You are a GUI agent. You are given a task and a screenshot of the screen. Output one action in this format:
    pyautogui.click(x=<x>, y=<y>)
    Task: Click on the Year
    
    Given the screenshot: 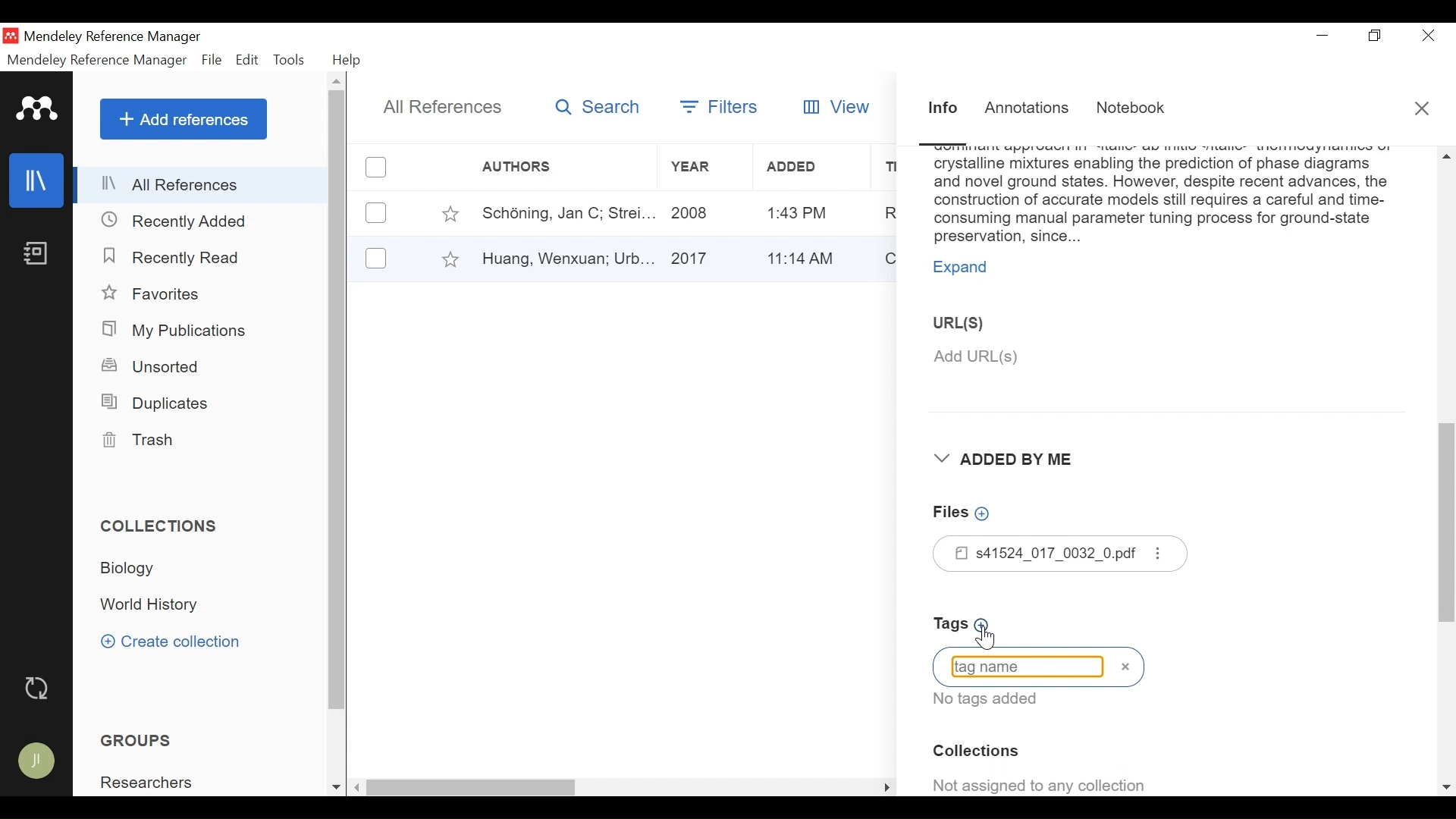 What is the action you would take?
    pyautogui.click(x=700, y=167)
    